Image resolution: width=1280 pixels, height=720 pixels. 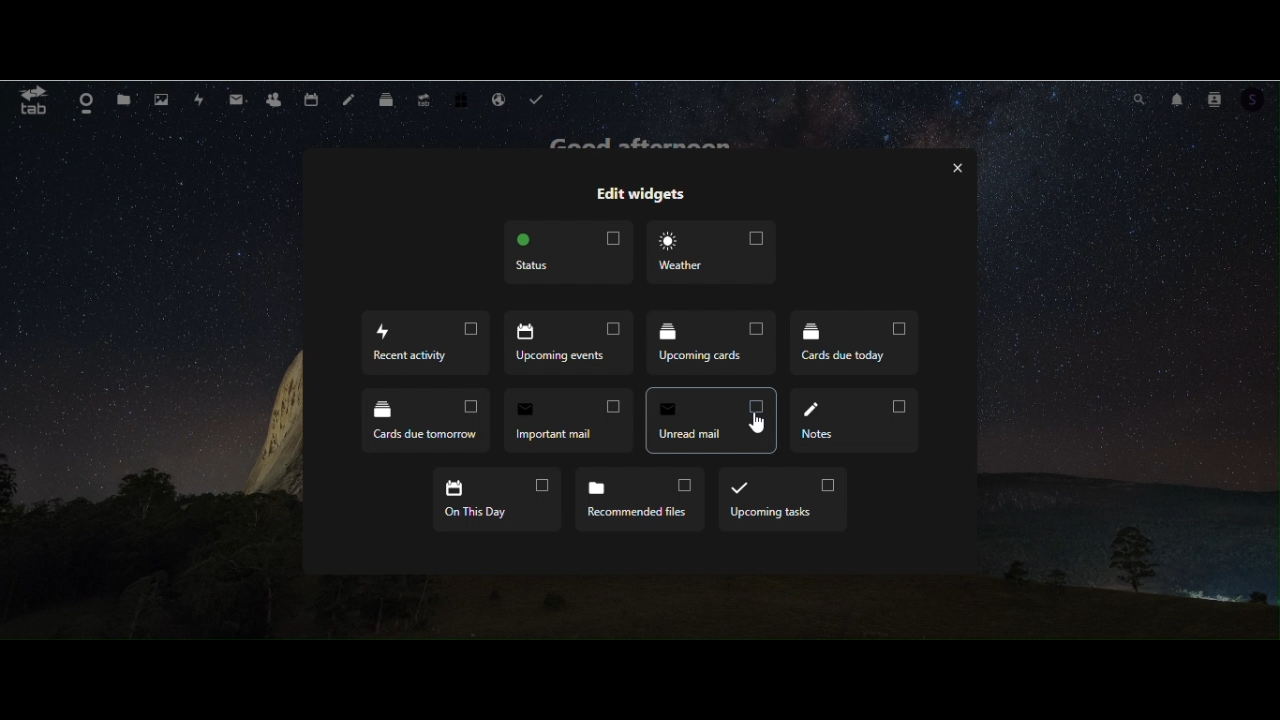 I want to click on email hosting, so click(x=498, y=98).